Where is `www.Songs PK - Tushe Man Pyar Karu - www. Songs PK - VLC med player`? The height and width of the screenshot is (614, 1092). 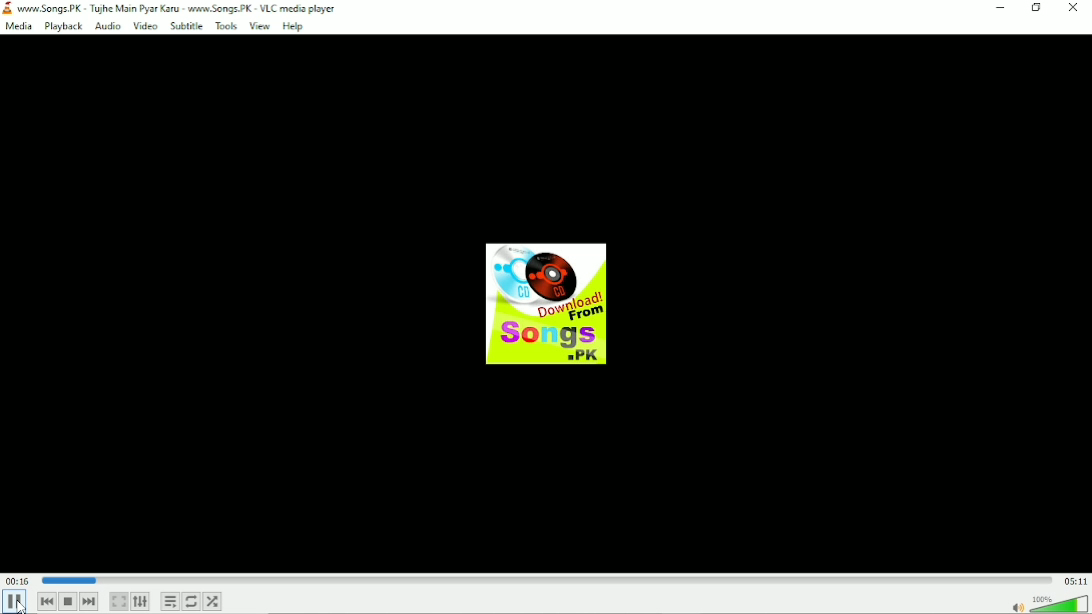 www.Songs PK - Tushe Man Pyar Karu - www. Songs PK - VLC med player is located at coordinates (179, 7).